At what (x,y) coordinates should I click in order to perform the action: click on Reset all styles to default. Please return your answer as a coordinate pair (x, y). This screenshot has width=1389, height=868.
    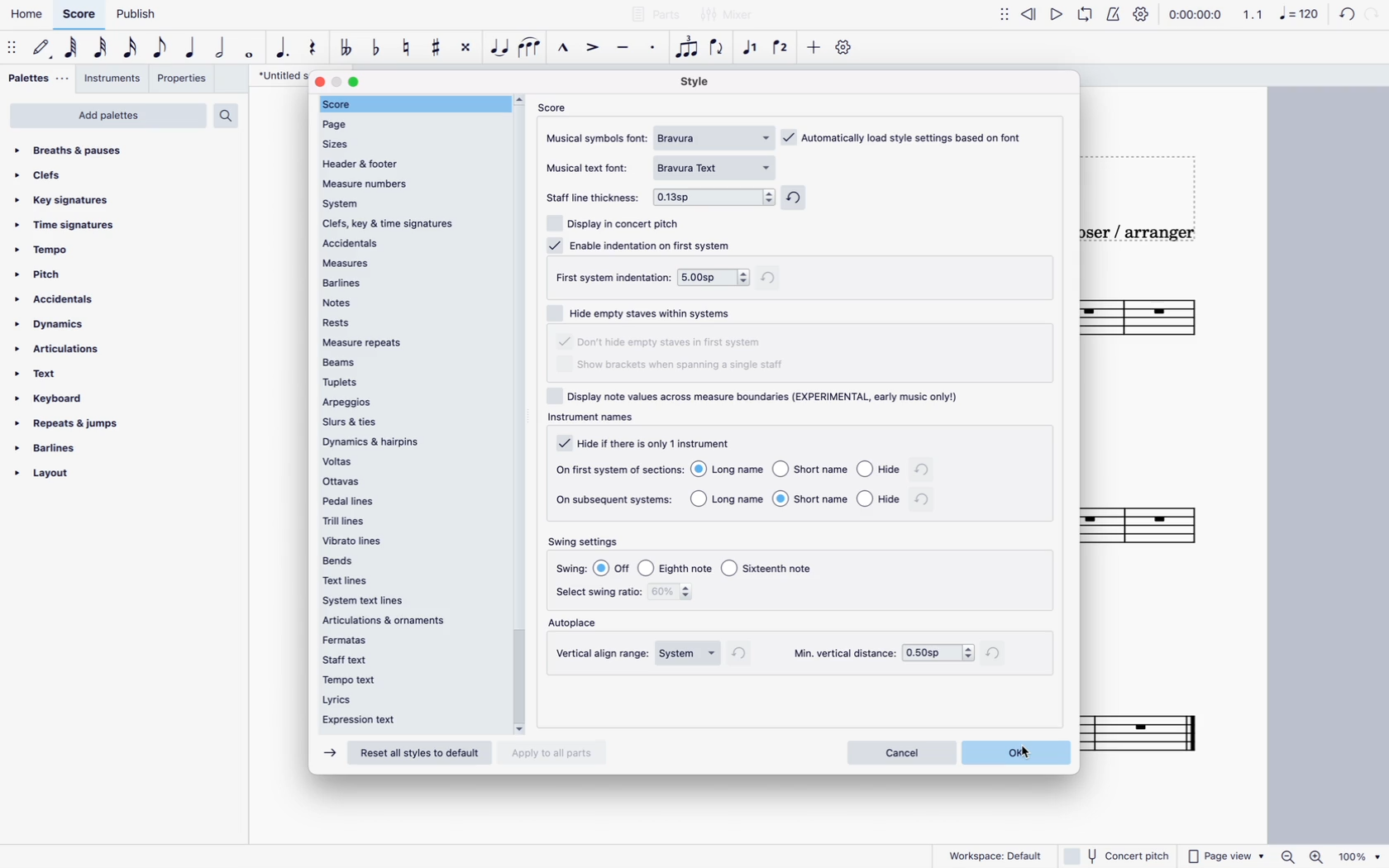
    Looking at the image, I should click on (423, 754).